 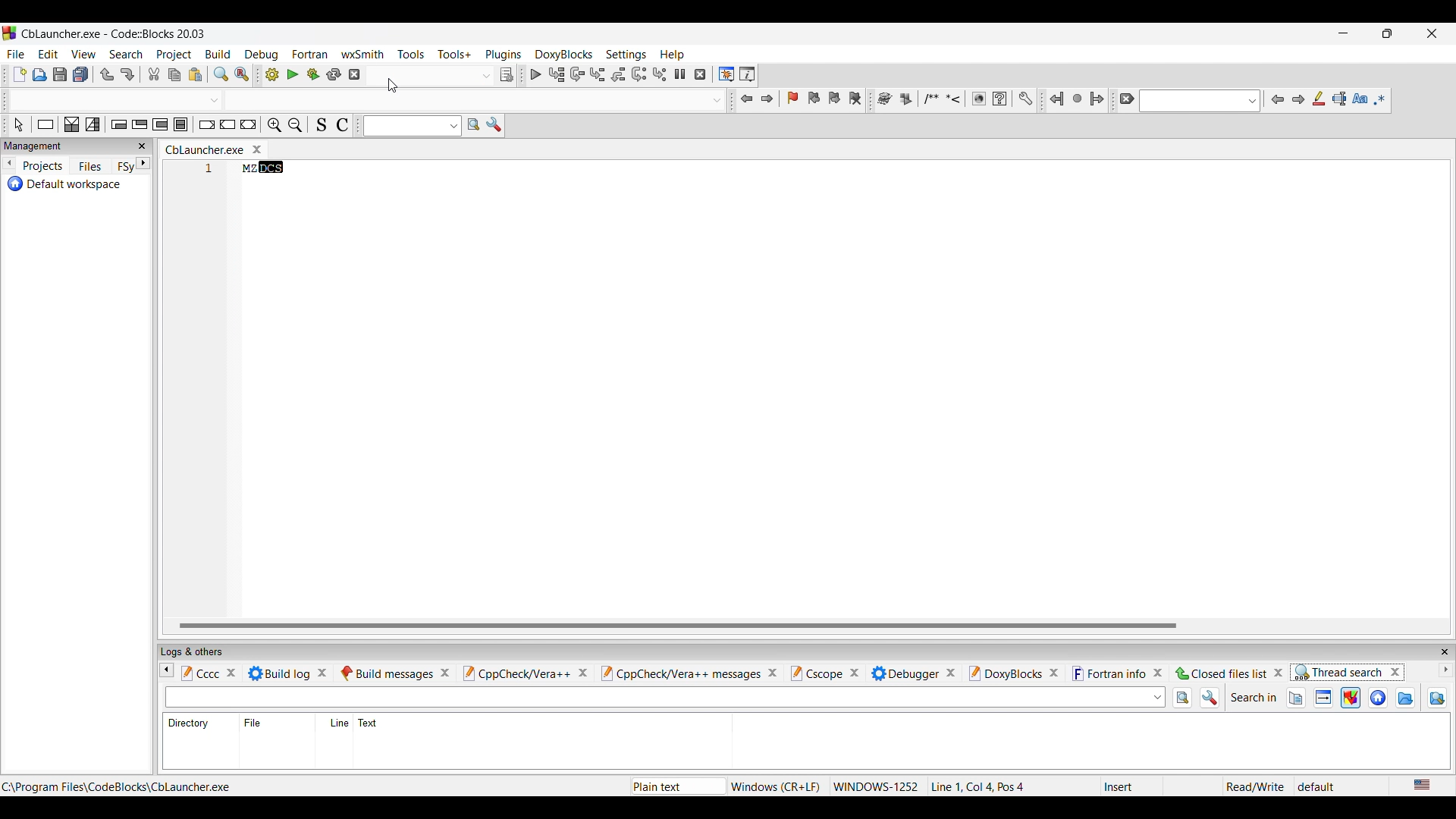 I want to click on US English, so click(x=1424, y=785).